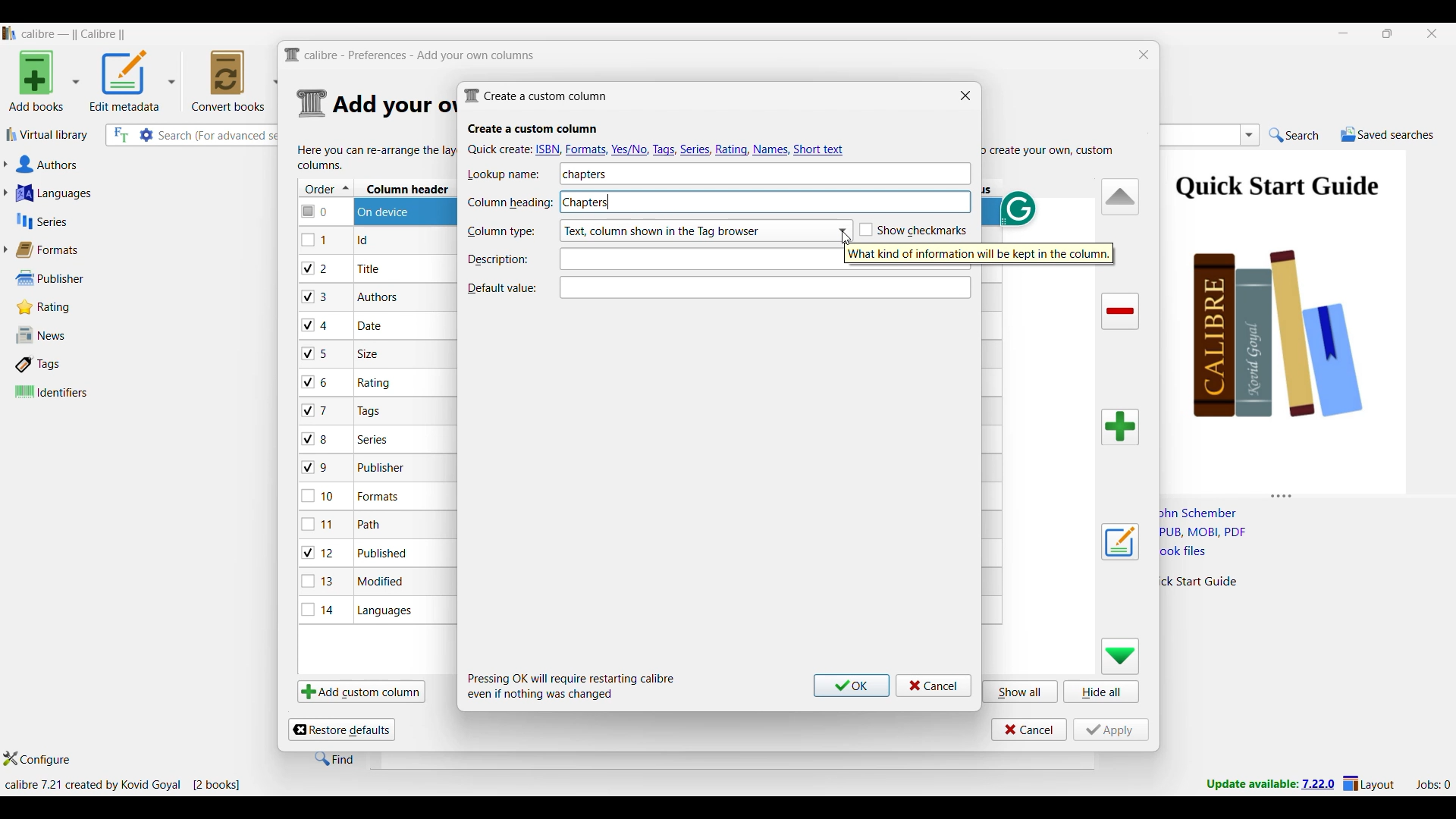 This screenshot has height=819, width=1456. Describe the element at coordinates (392, 105) in the screenshot. I see `Section details` at that location.